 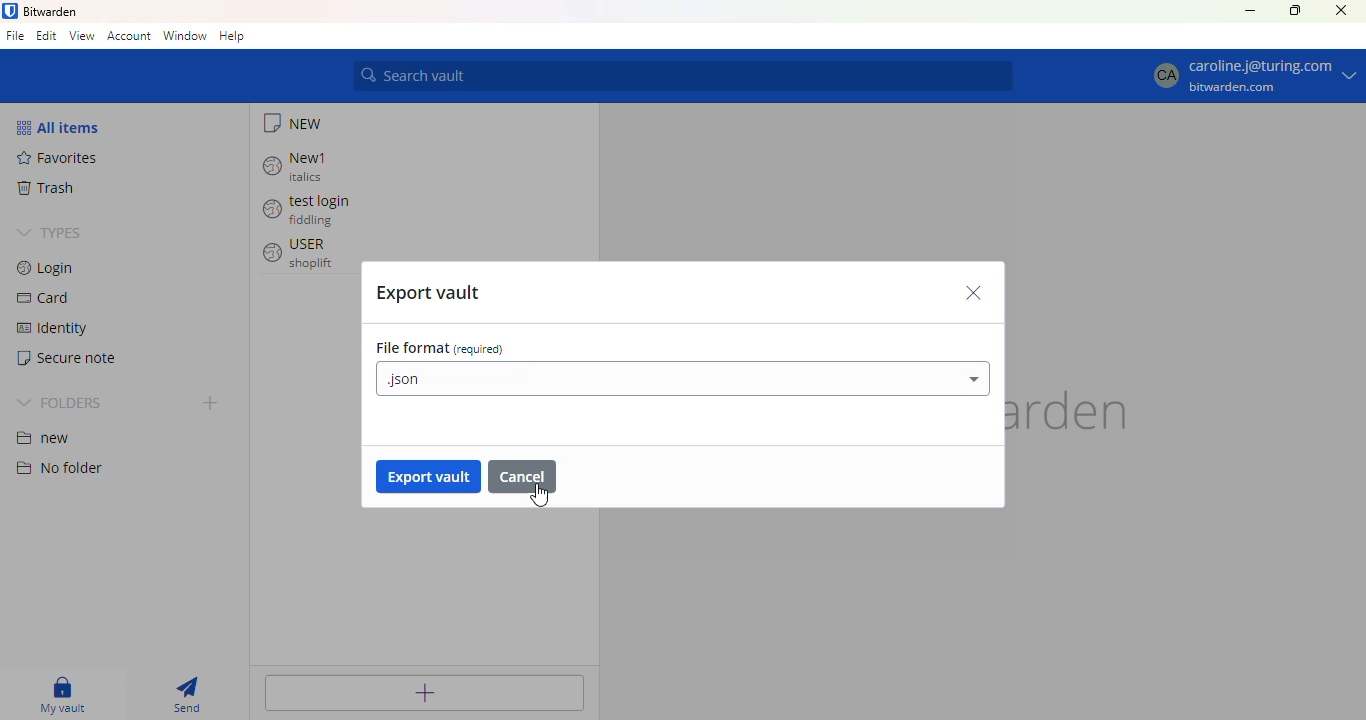 What do you see at coordinates (51, 11) in the screenshot?
I see `bitwarden` at bounding box center [51, 11].